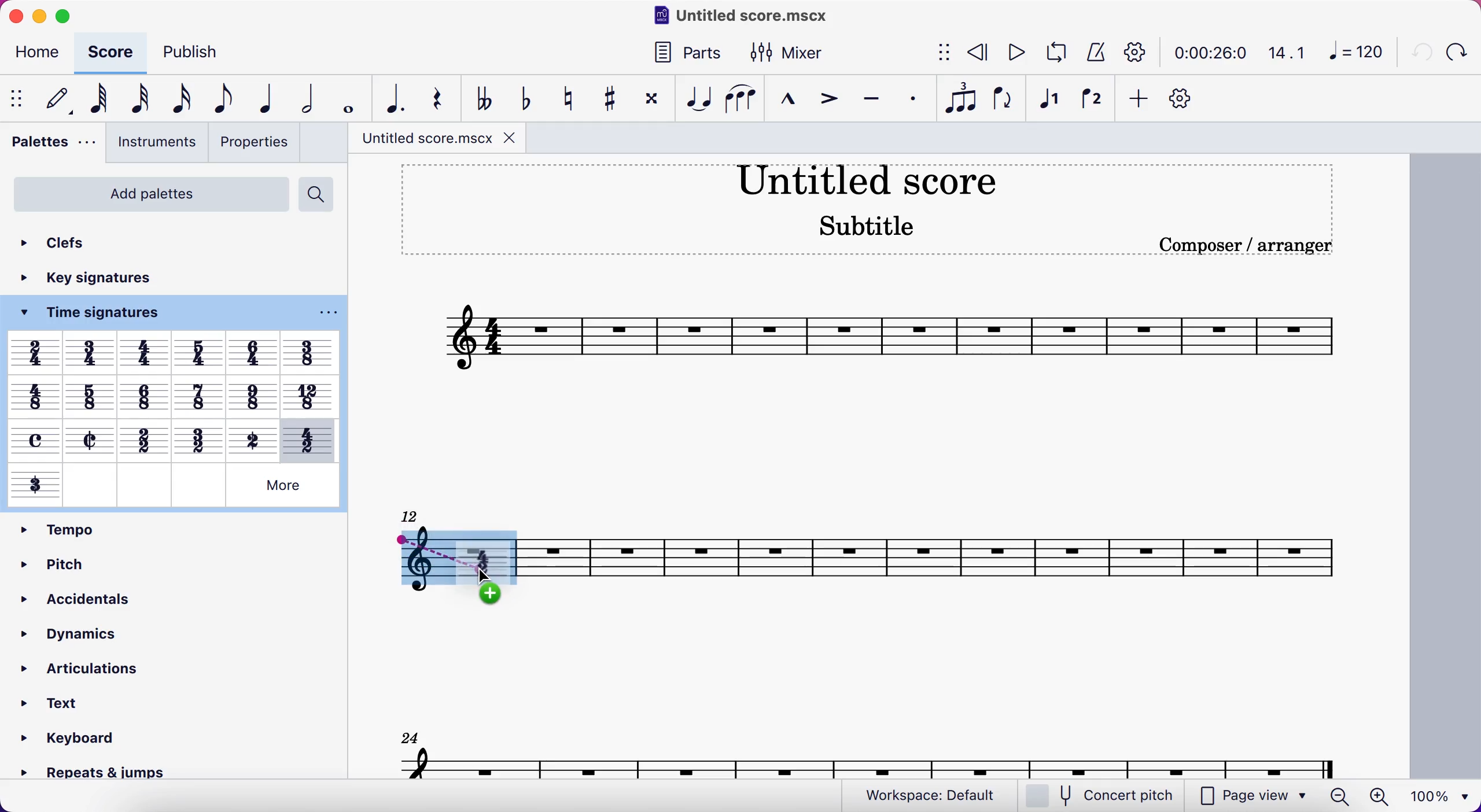  Describe the element at coordinates (867, 179) in the screenshot. I see `title` at that location.